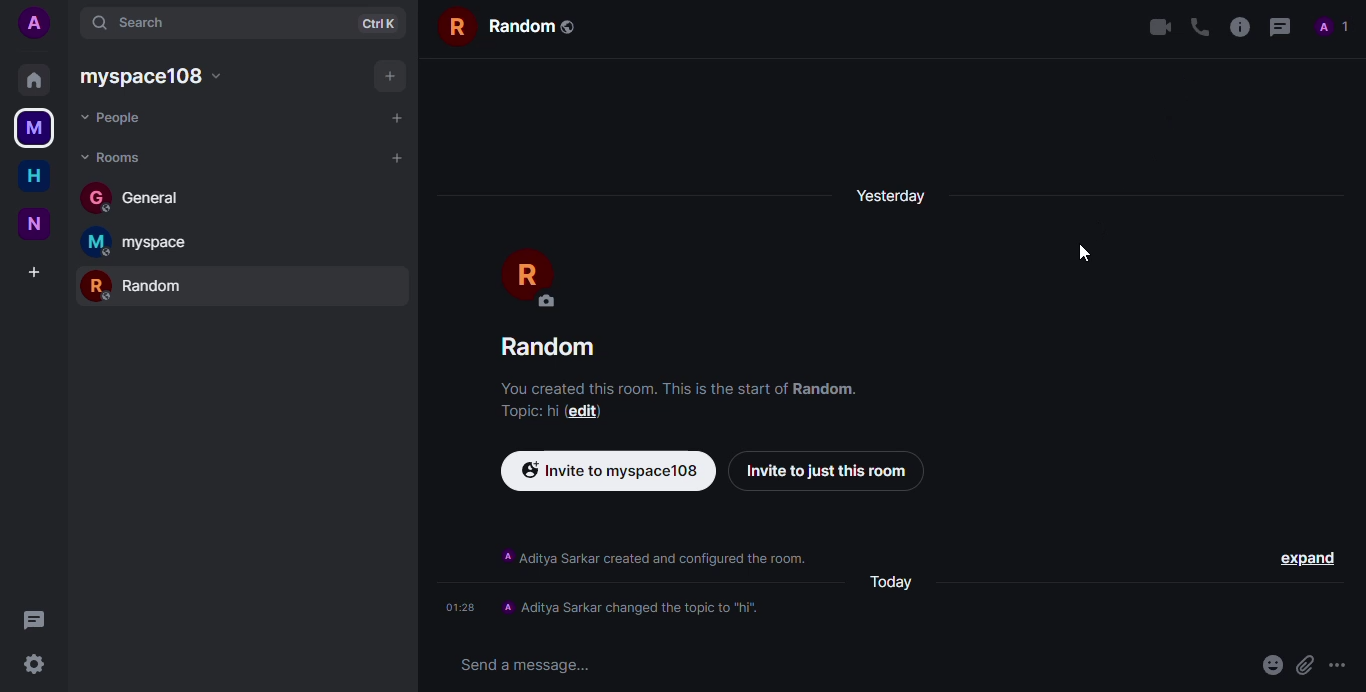  What do you see at coordinates (532, 282) in the screenshot?
I see `profile pic` at bounding box center [532, 282].